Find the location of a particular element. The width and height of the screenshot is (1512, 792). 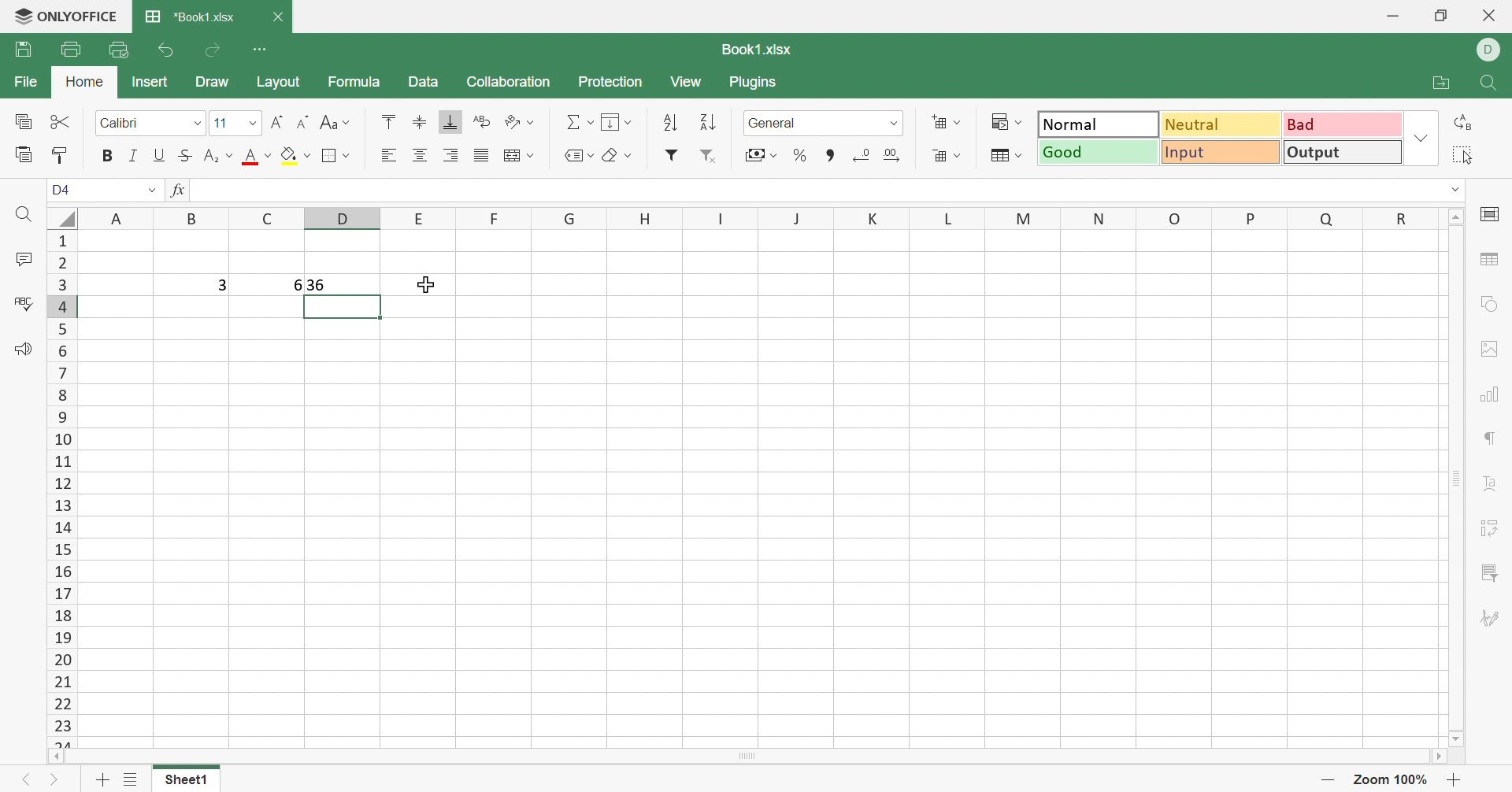

Close is located at coordinates (1492, 14).